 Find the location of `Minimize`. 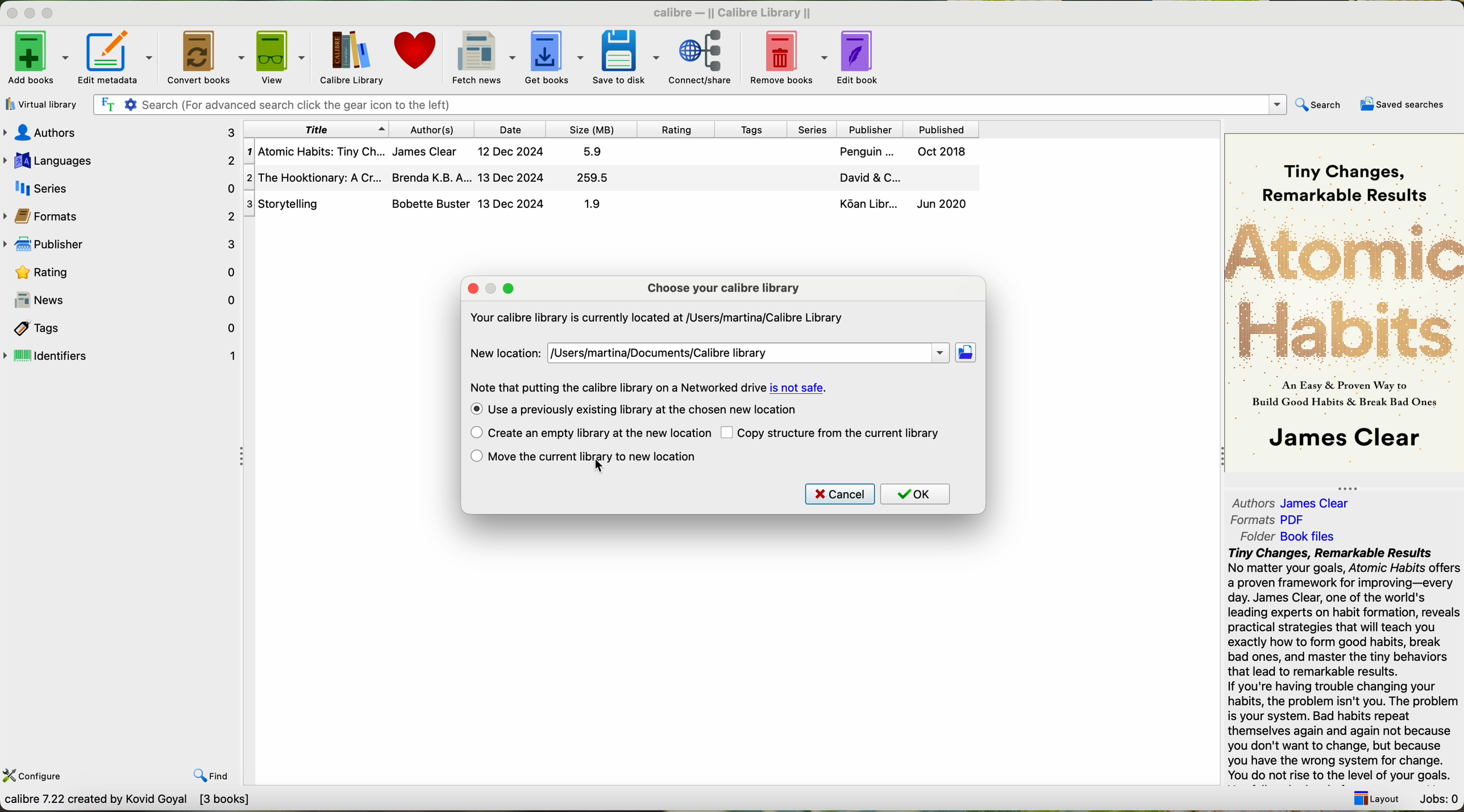

Minimize is located at coordinates (31, 14).